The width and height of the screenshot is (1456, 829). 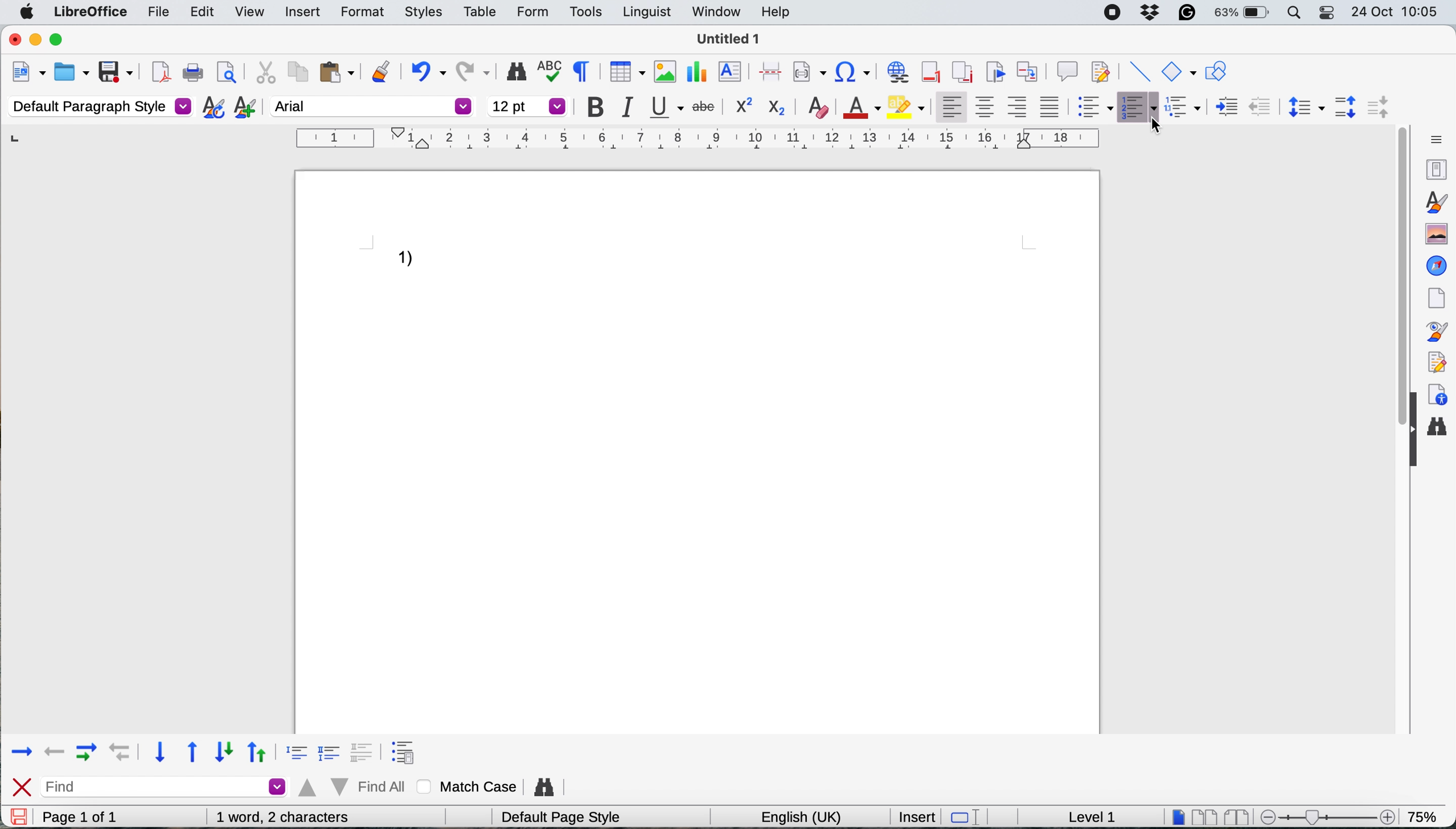 I want to click on 75%, so click(x=1425, y=815).